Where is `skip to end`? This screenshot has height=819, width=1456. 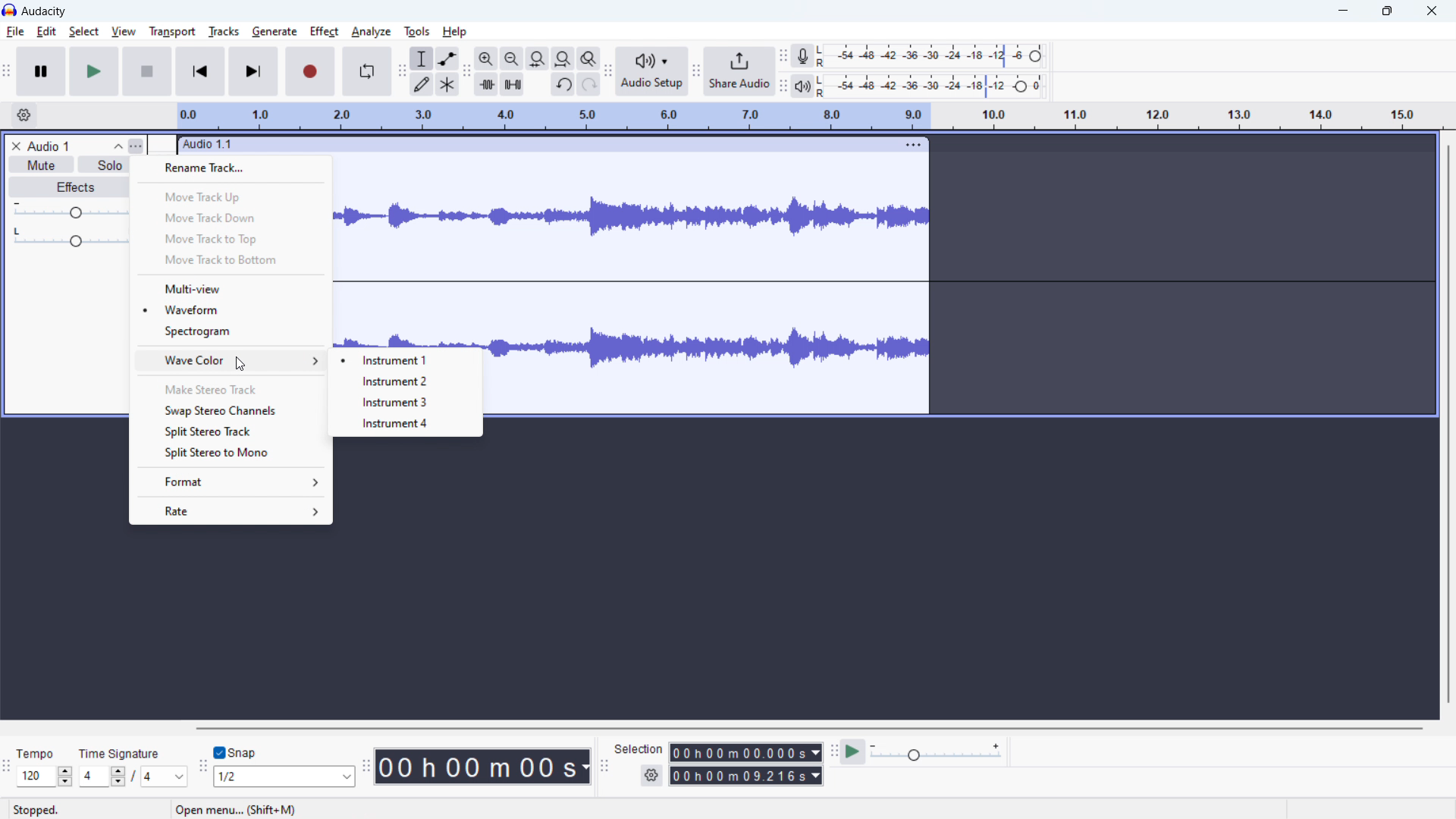 skip to end is located at coordinates (254, 71).